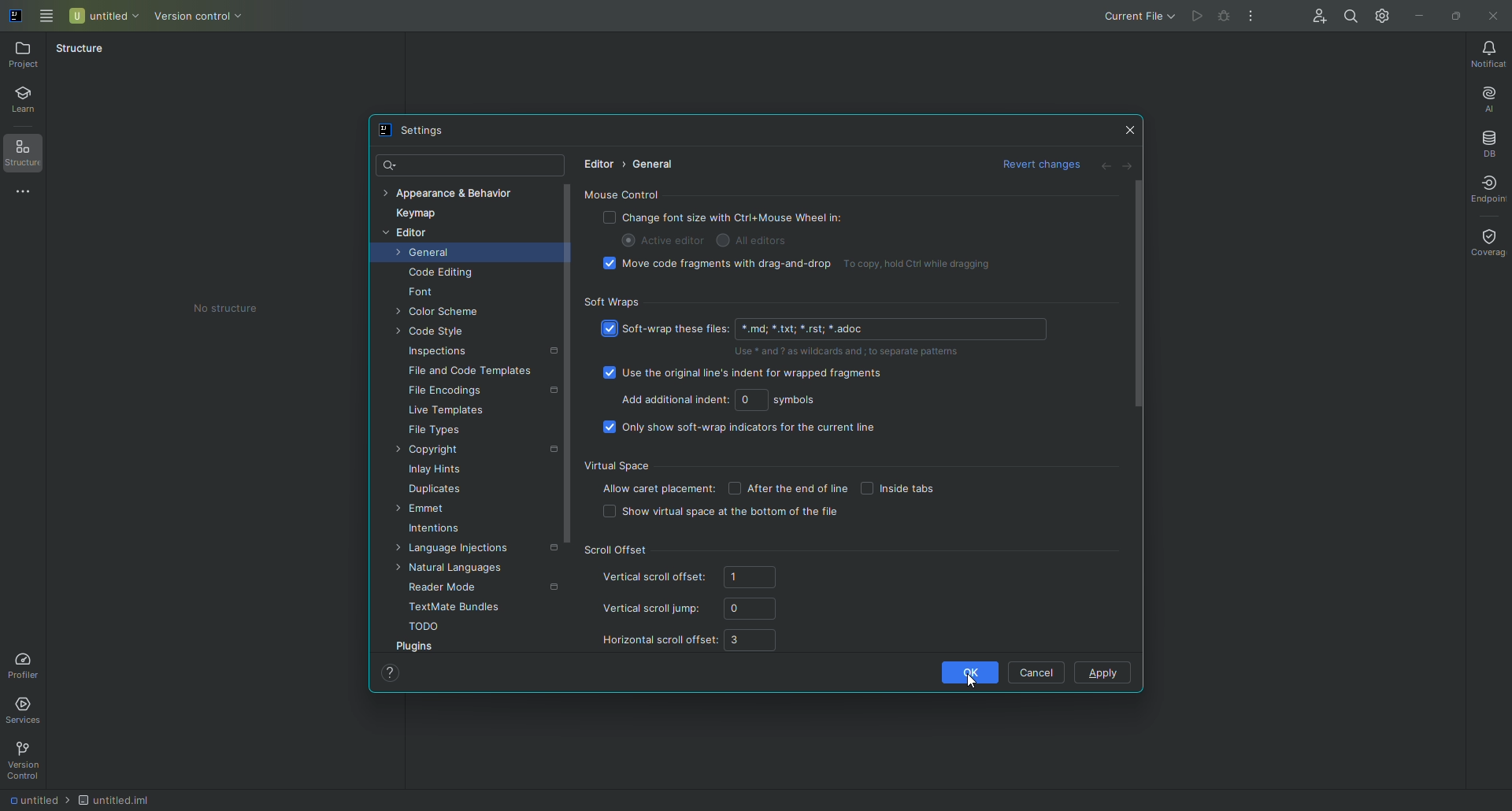 The height and width of the screenshot is (811, 1512). What do you see at coordinates (697, 580) in the screenshot?
I see `Vertical scroll offset` at bounding box center [697, 580].